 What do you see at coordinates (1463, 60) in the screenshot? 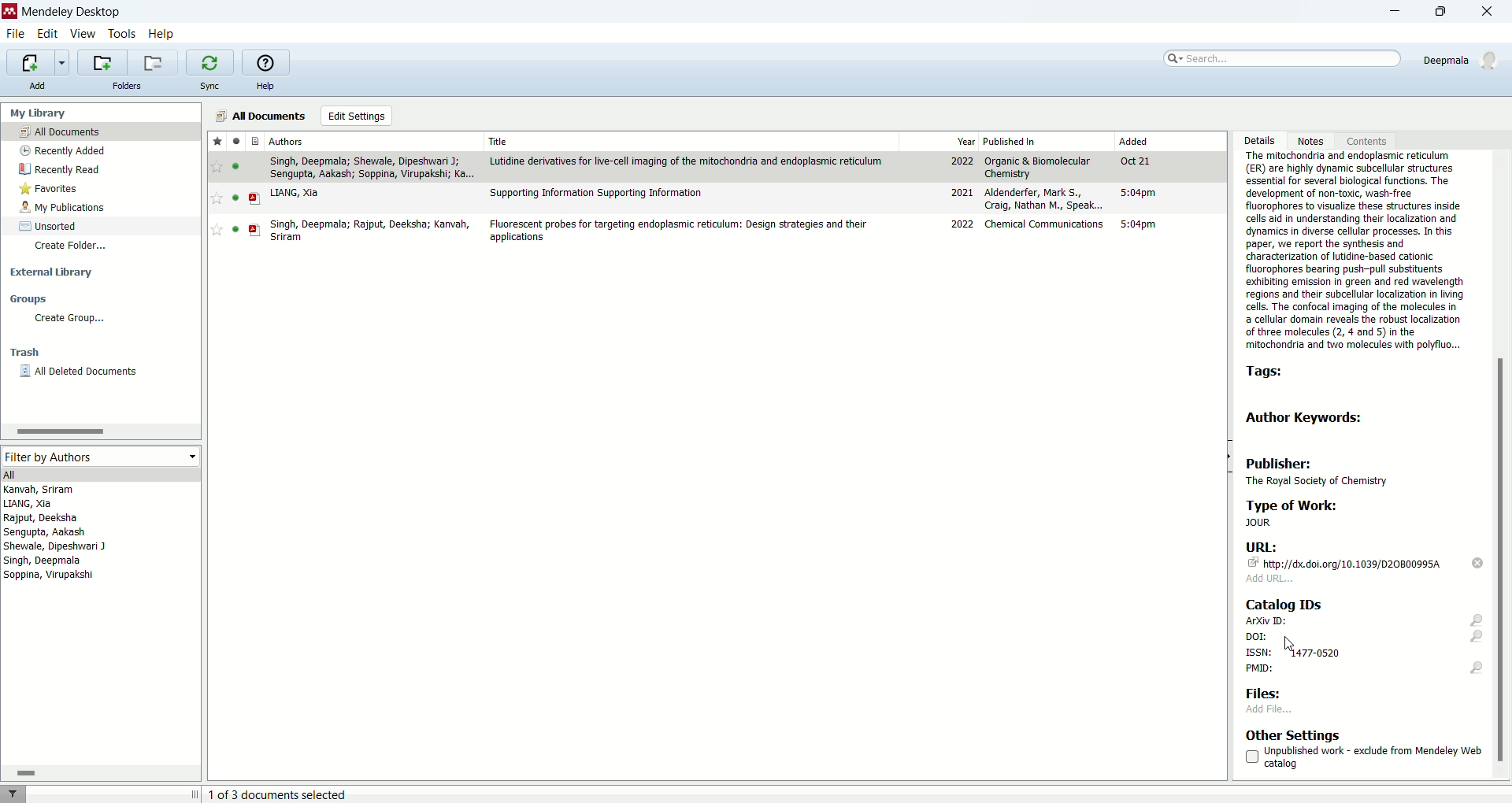
I see `deepmala` at bounding box center [1463, 60].